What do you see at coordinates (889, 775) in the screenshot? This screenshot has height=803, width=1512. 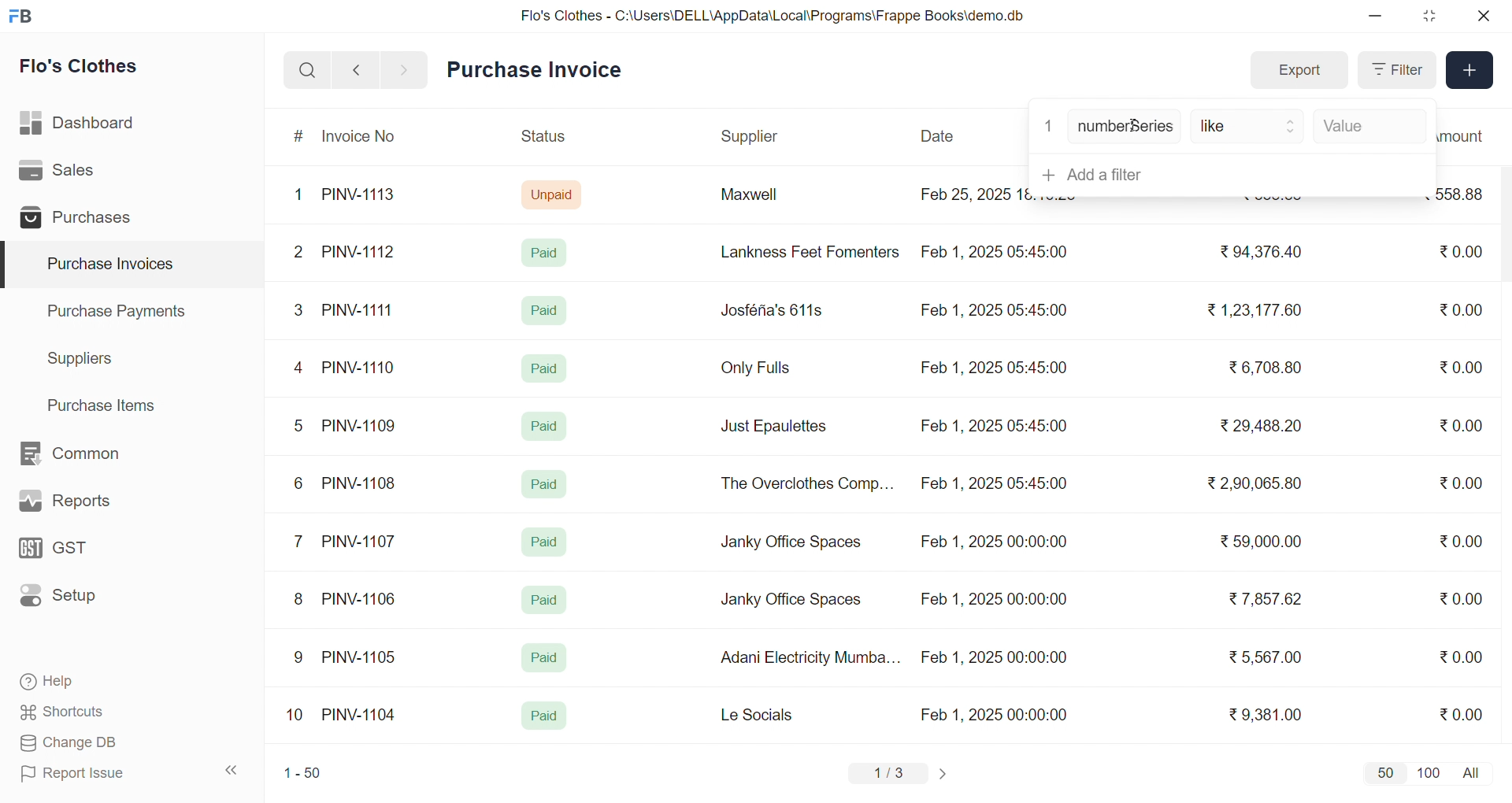 I see `1/3` at bounding box center [889, 775].